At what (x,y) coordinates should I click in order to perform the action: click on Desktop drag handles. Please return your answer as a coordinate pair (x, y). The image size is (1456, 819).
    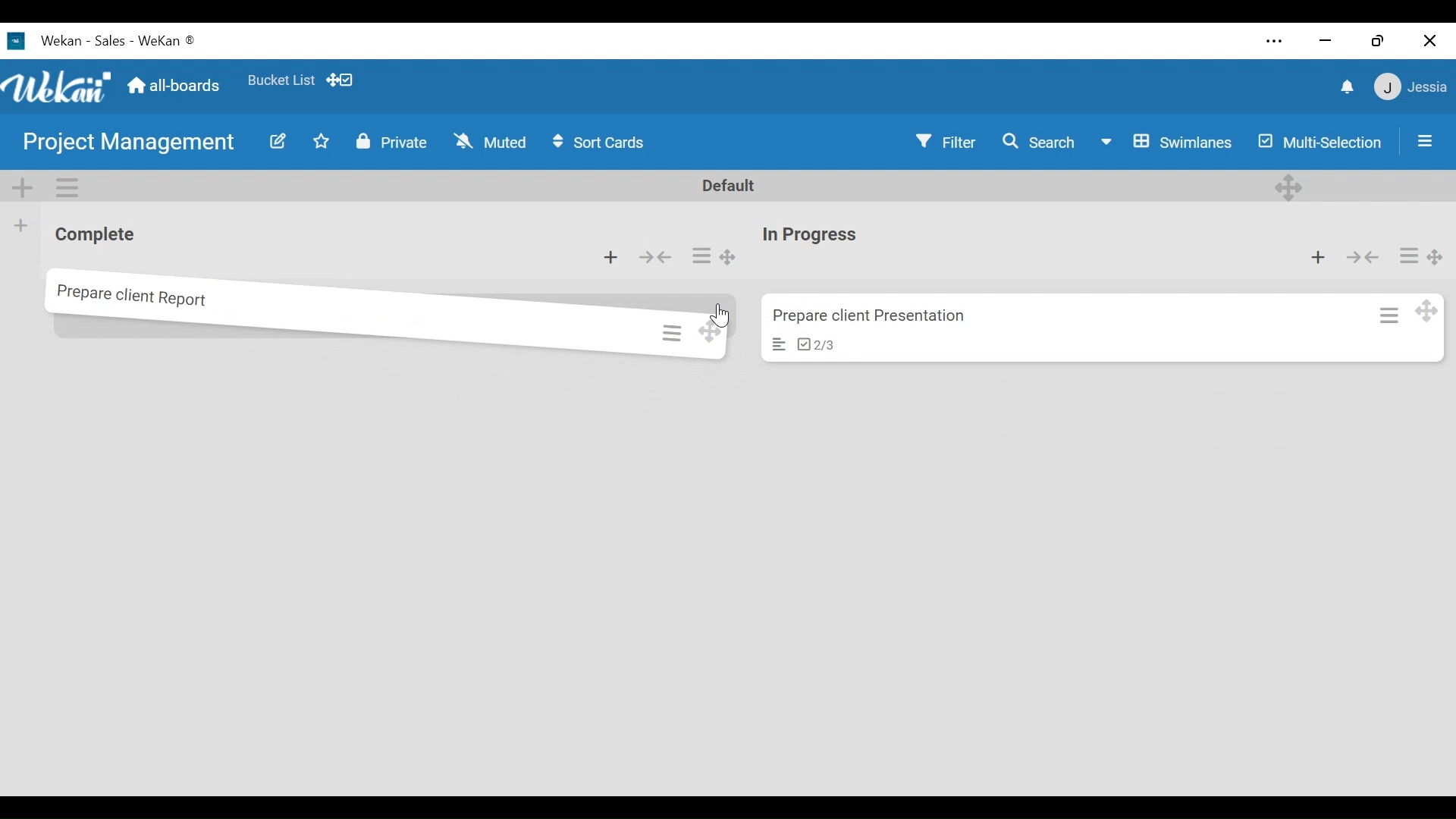
    Looking at the image, I should click on (1287, 186).